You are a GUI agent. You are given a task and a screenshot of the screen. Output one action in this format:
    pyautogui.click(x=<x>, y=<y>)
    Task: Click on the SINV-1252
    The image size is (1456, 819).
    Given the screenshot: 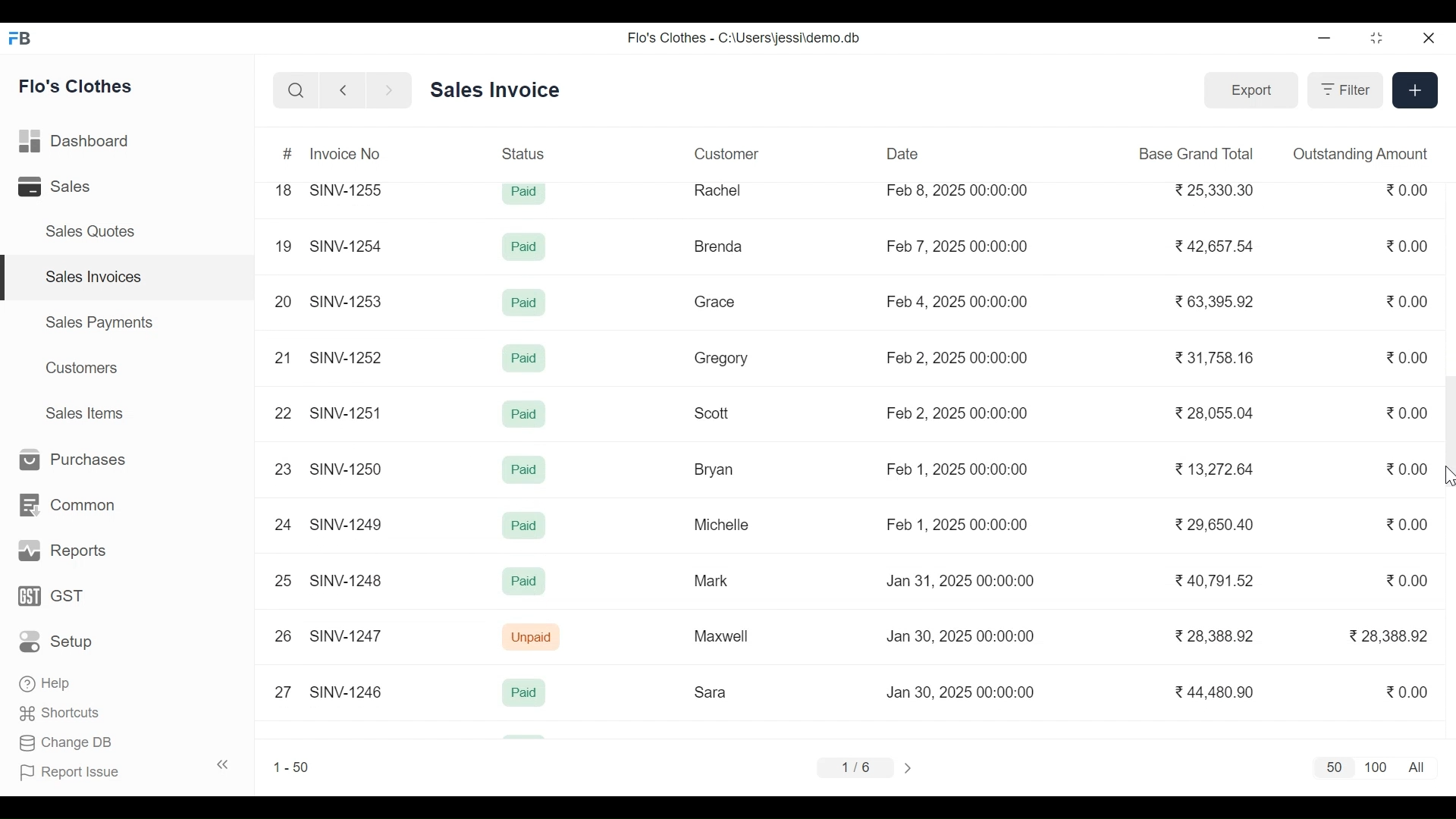 What is the action you would take?
    pyautogui.click(x=348, y=357)
    